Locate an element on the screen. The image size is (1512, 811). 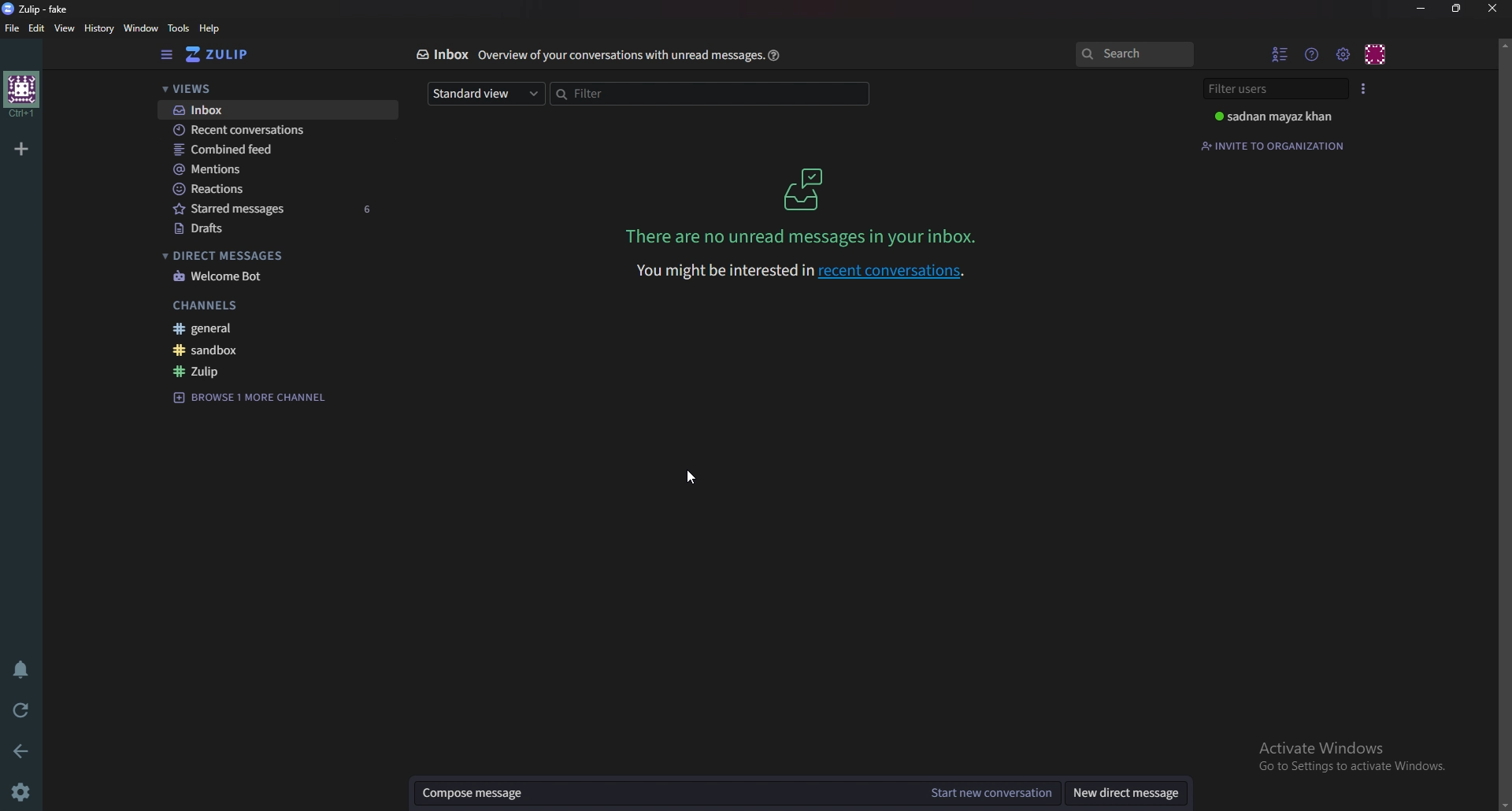
Drafts is located at coordinates (263, 229).